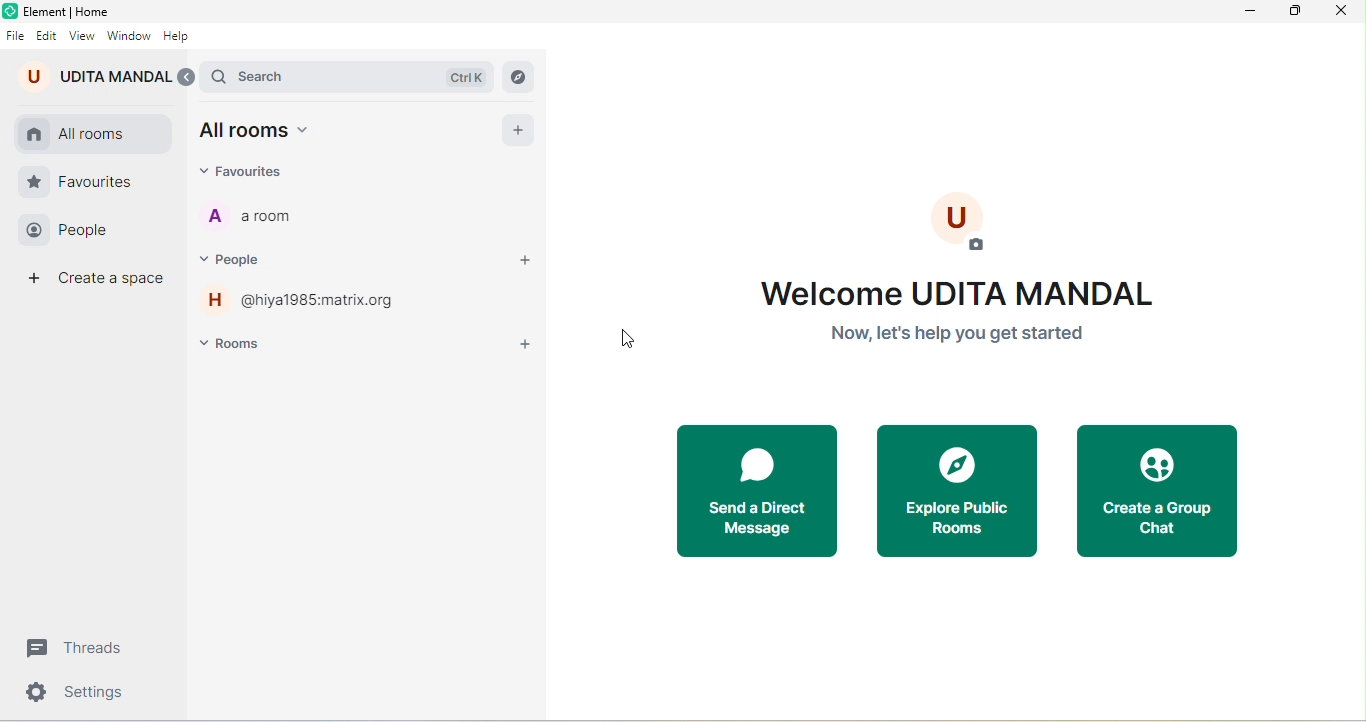 Image resolution: width=1366 pixels, height=722 pixels. What do you see at coordinates (305, 299) in the screenshot?
I see `hiya1985` at bounding box center [305, 299].